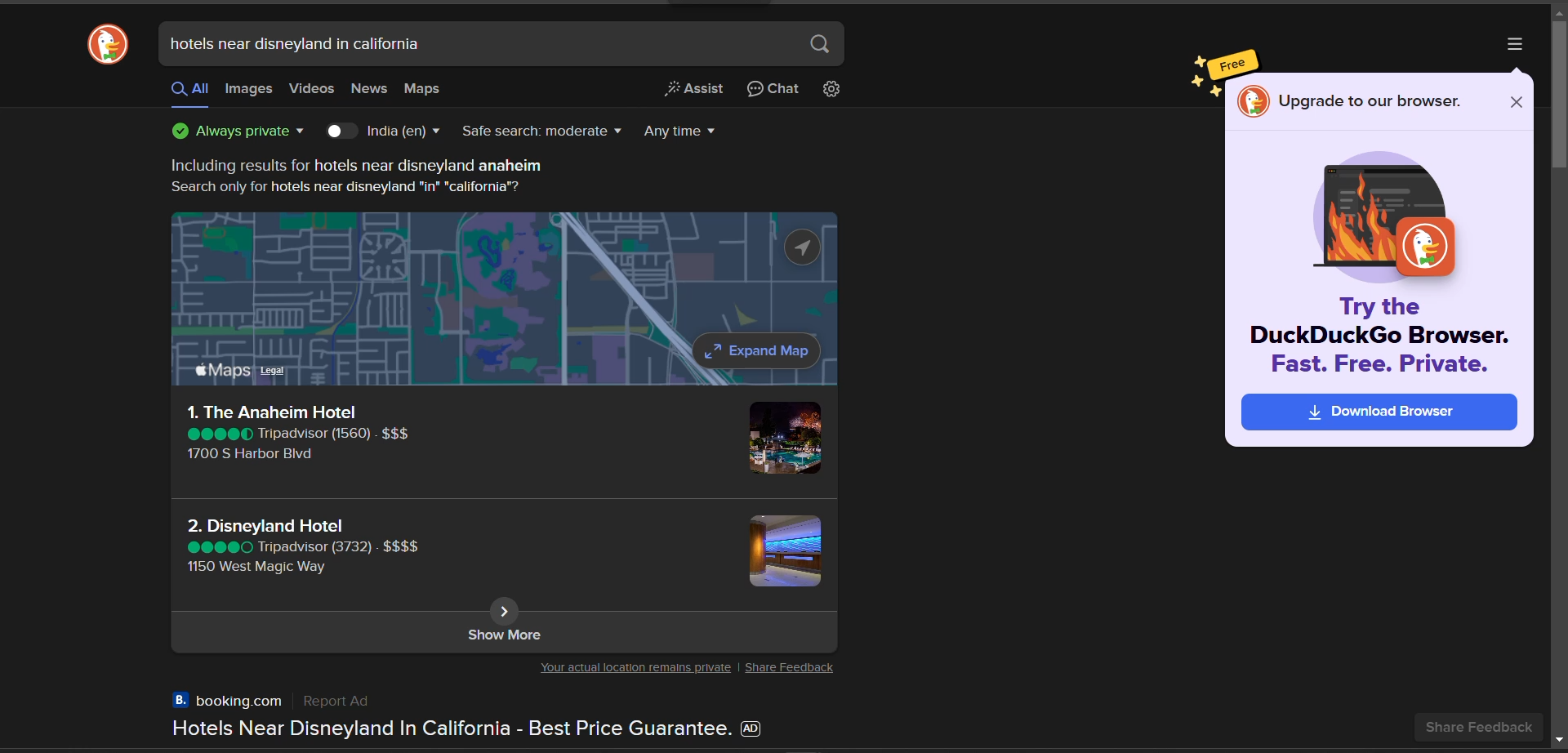  Describe the element at coordinates (780, 552) in the screenshot. I see `image` at that location.